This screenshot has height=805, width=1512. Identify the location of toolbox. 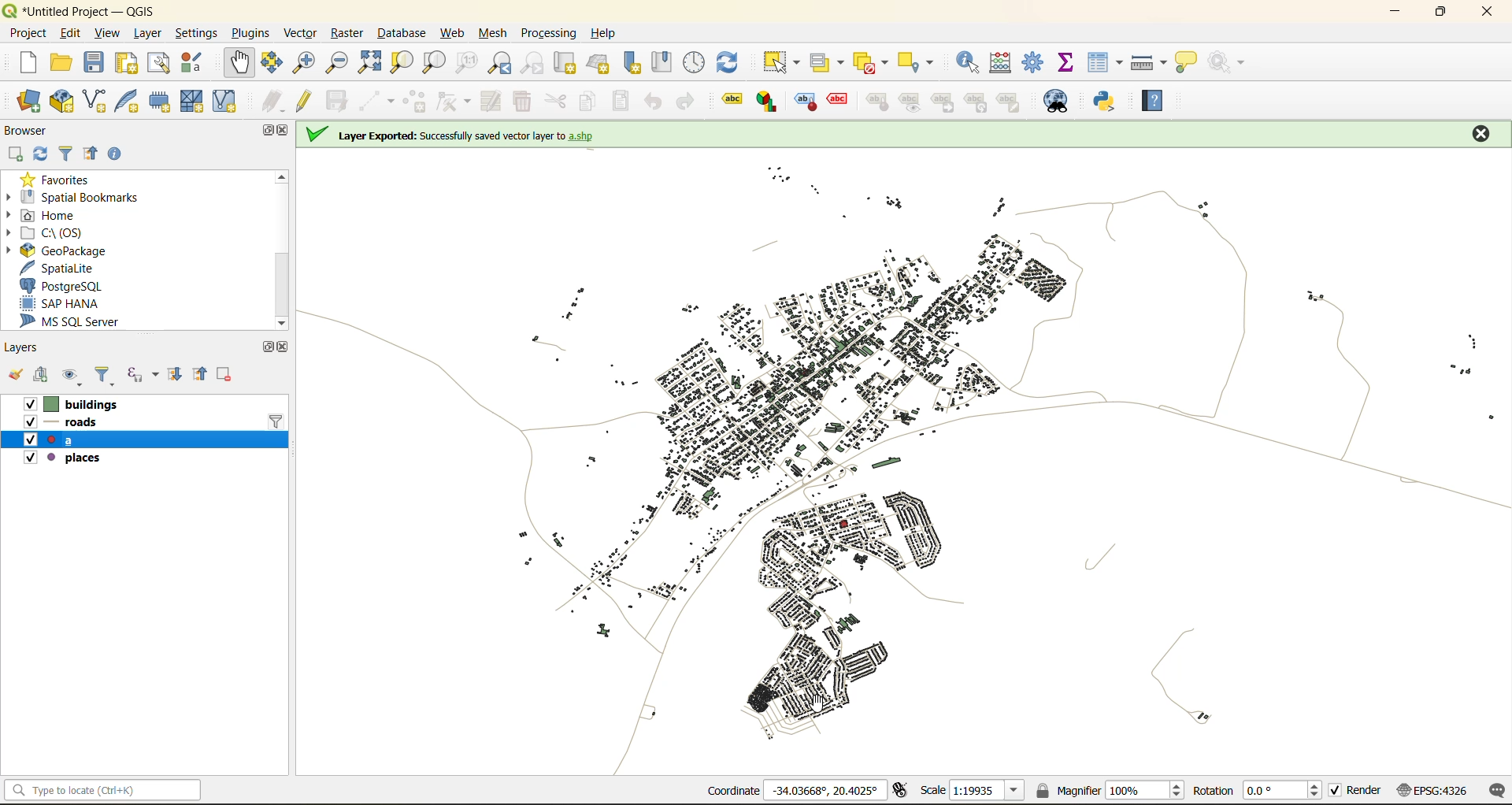
(1035, 61).